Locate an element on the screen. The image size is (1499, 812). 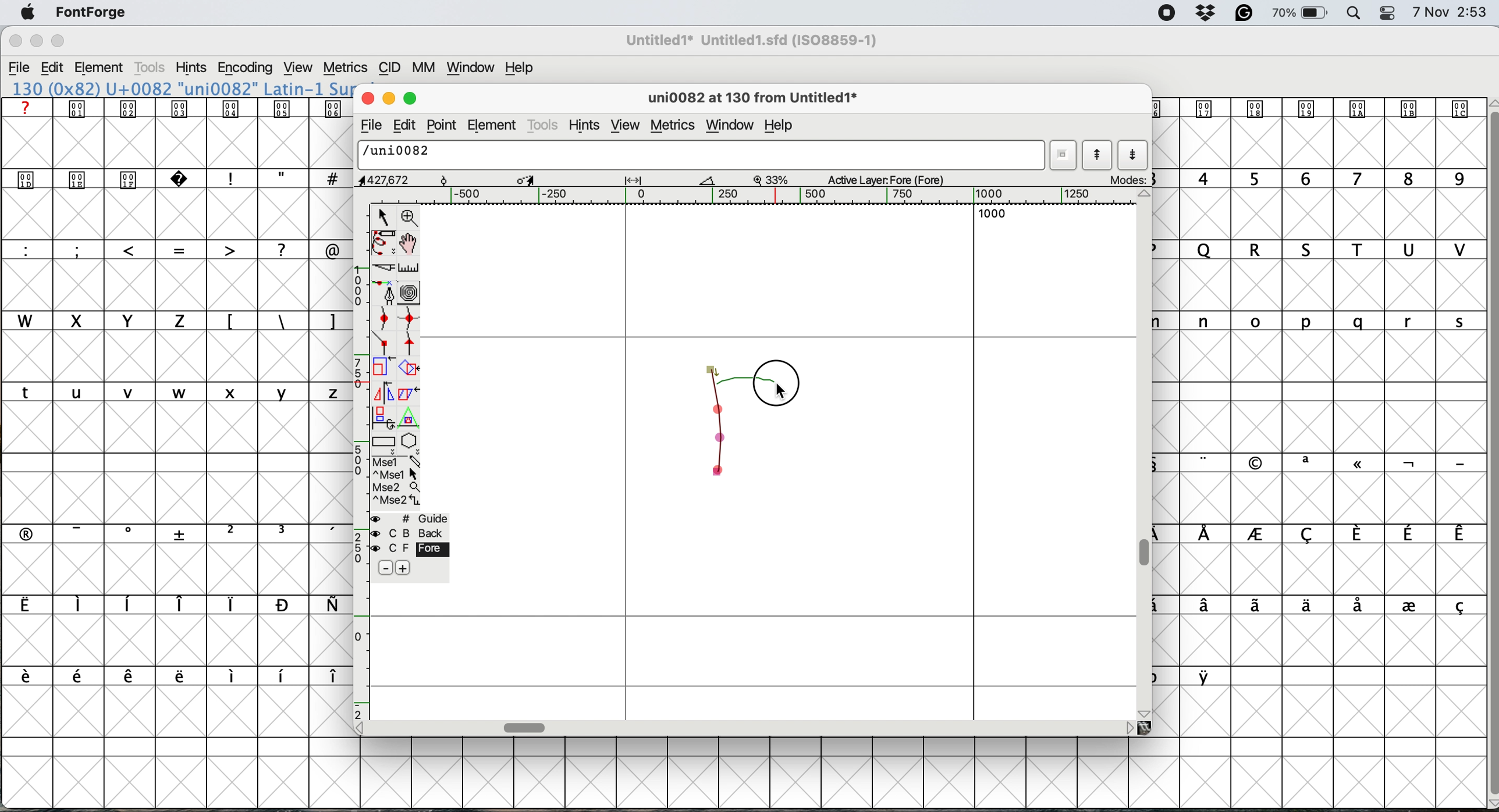
element is located at coordinates (493, 126).